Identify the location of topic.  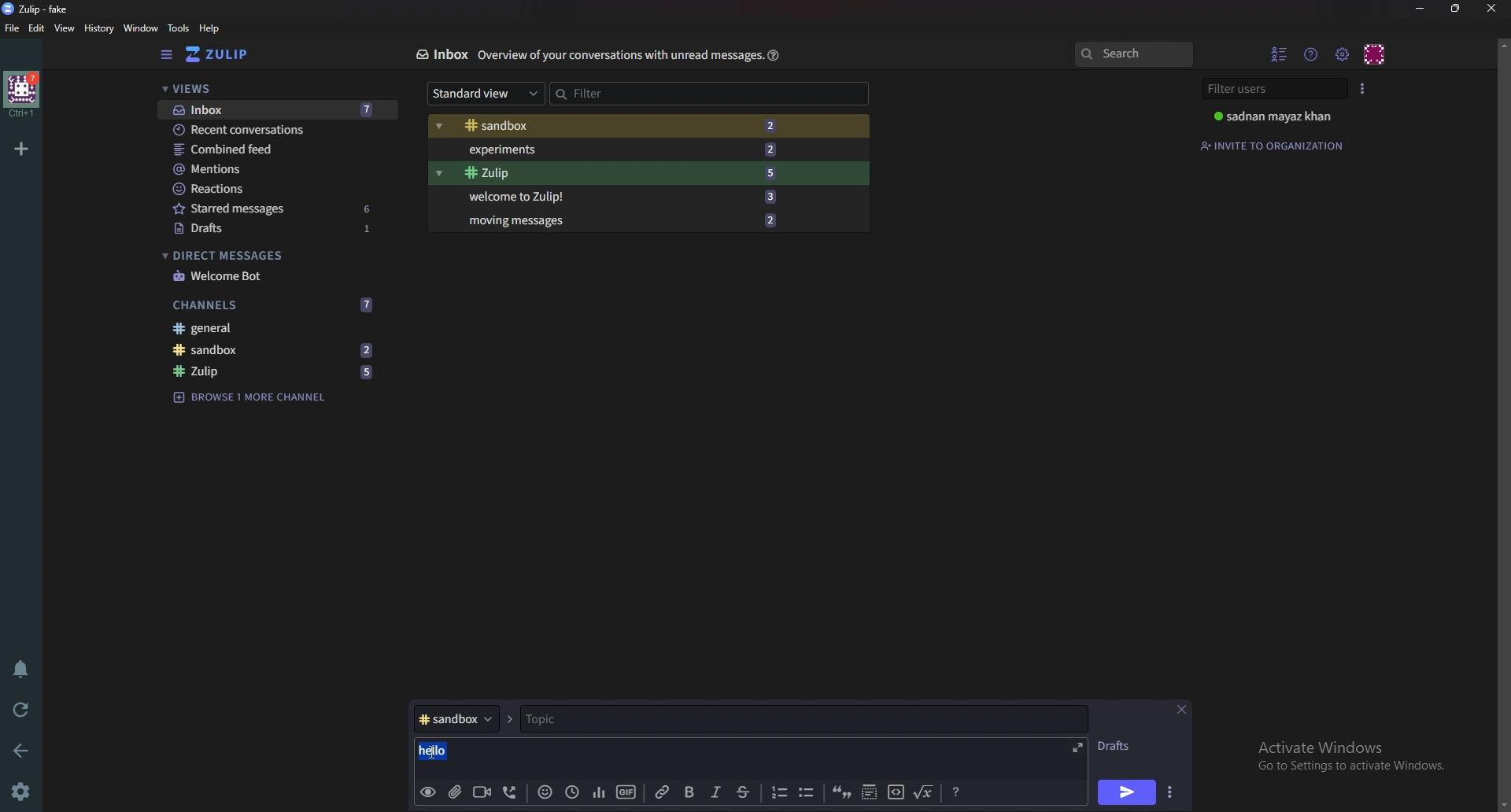
(690, 720).